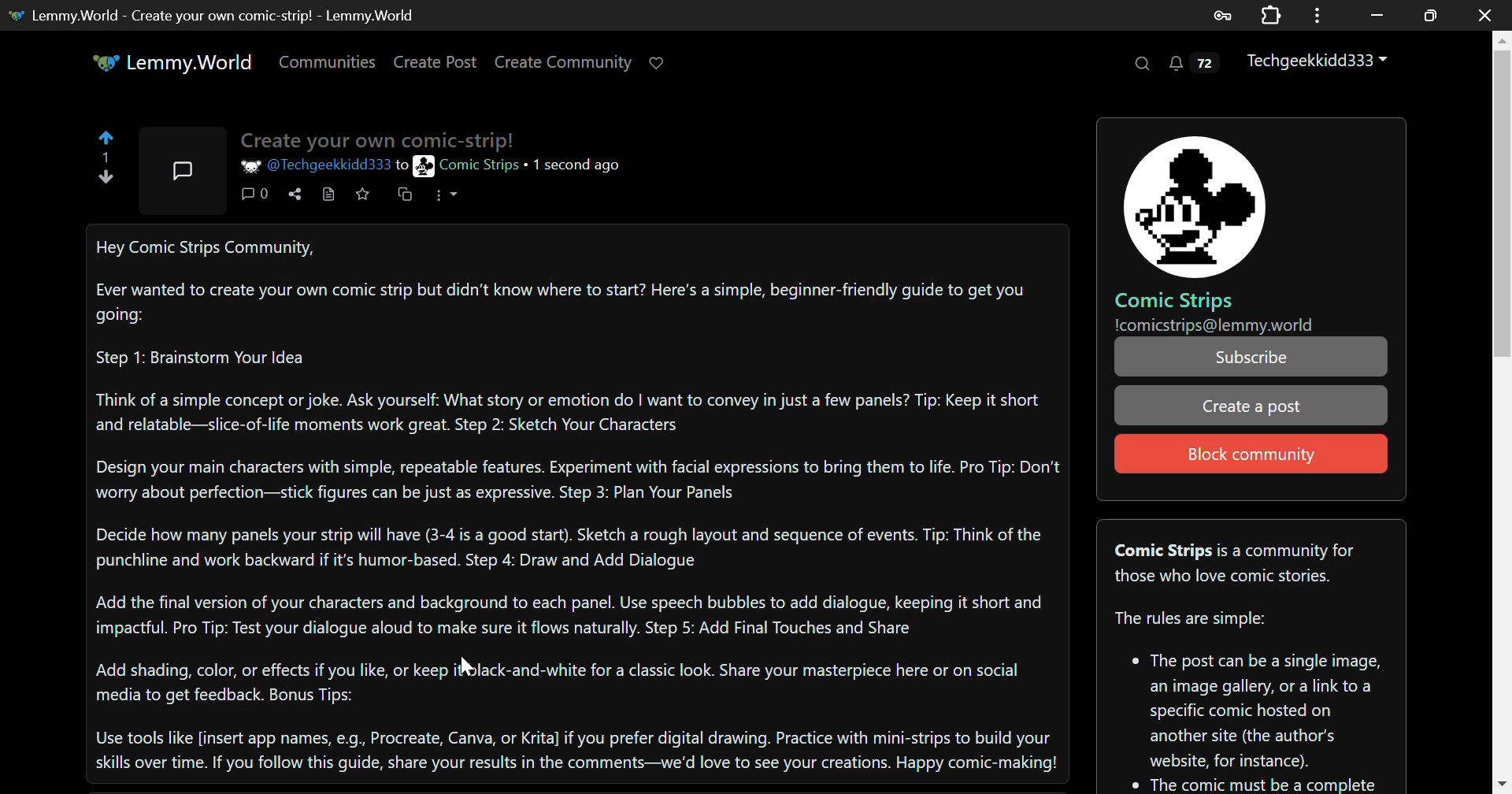 The image size is (1512, 794). Describe the element at coordinates (1274, 14) in the screenshot. I see `Extensions` at that location.